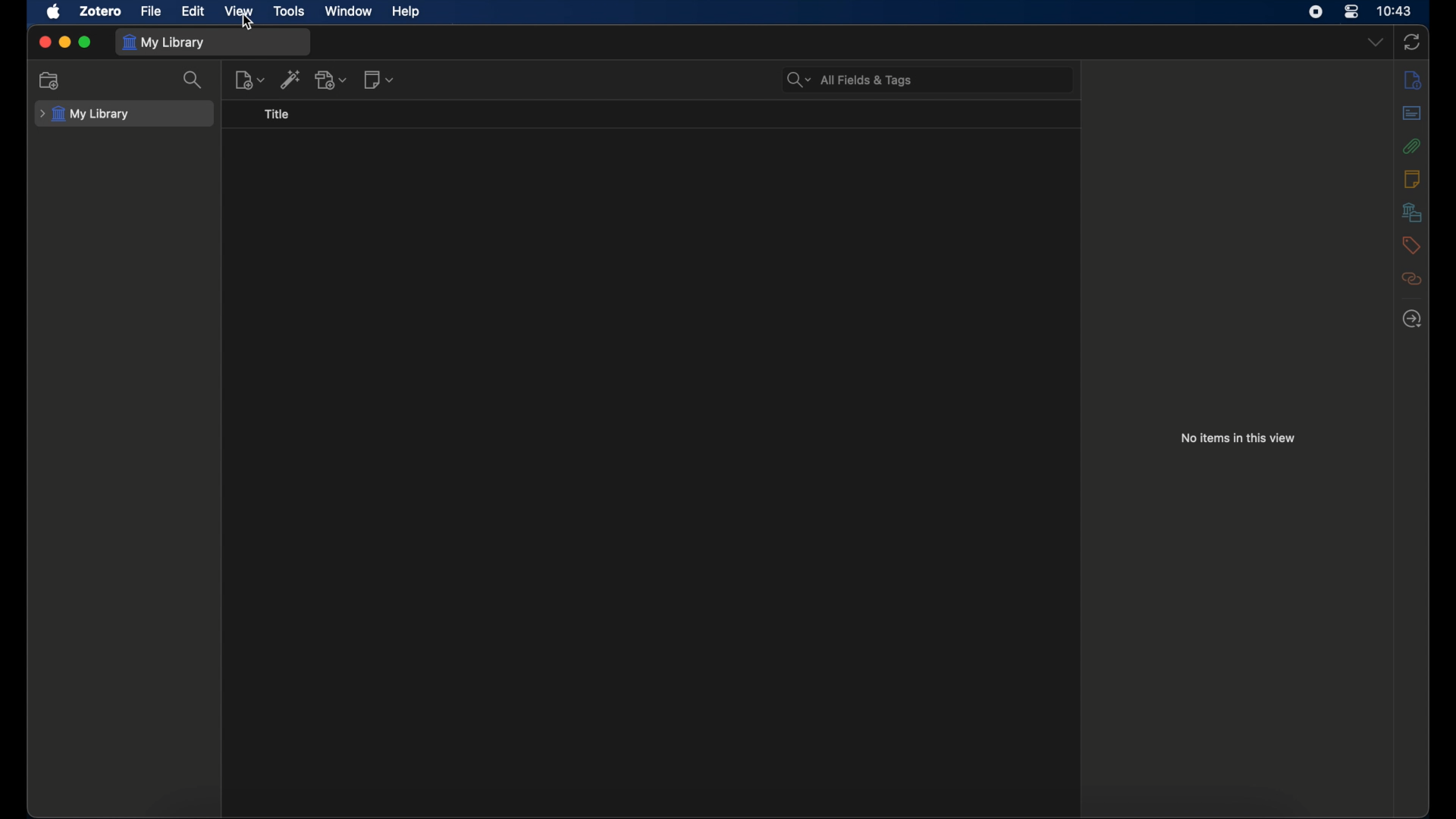 The height and width of the screenshot is (819, 1456). Describe the element at coordinates (1318, 12) in the screenshot. I see `screen recorder` at that location.